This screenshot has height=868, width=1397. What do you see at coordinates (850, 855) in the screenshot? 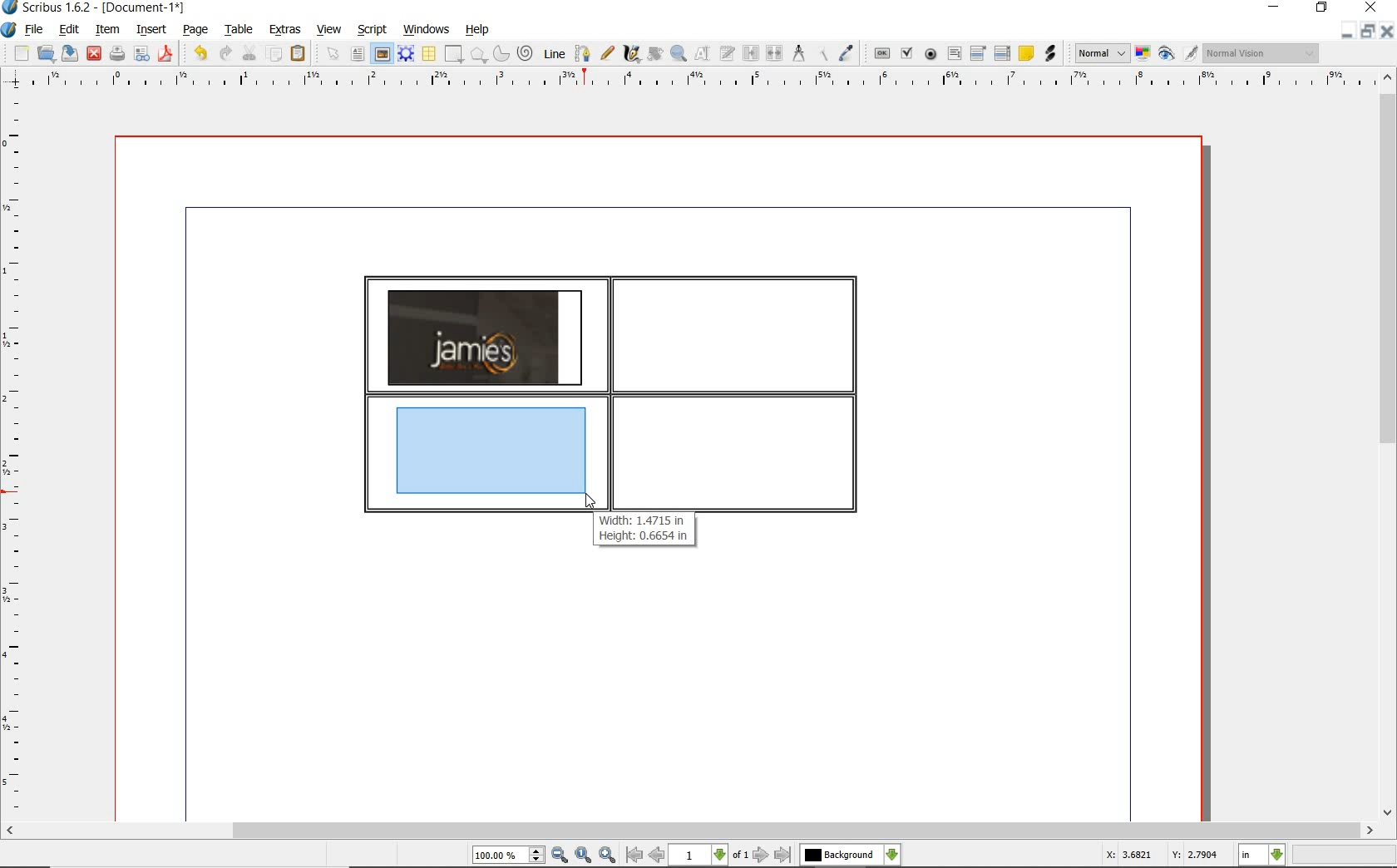
I see `select the current layer` at bounding box center [850, 855].